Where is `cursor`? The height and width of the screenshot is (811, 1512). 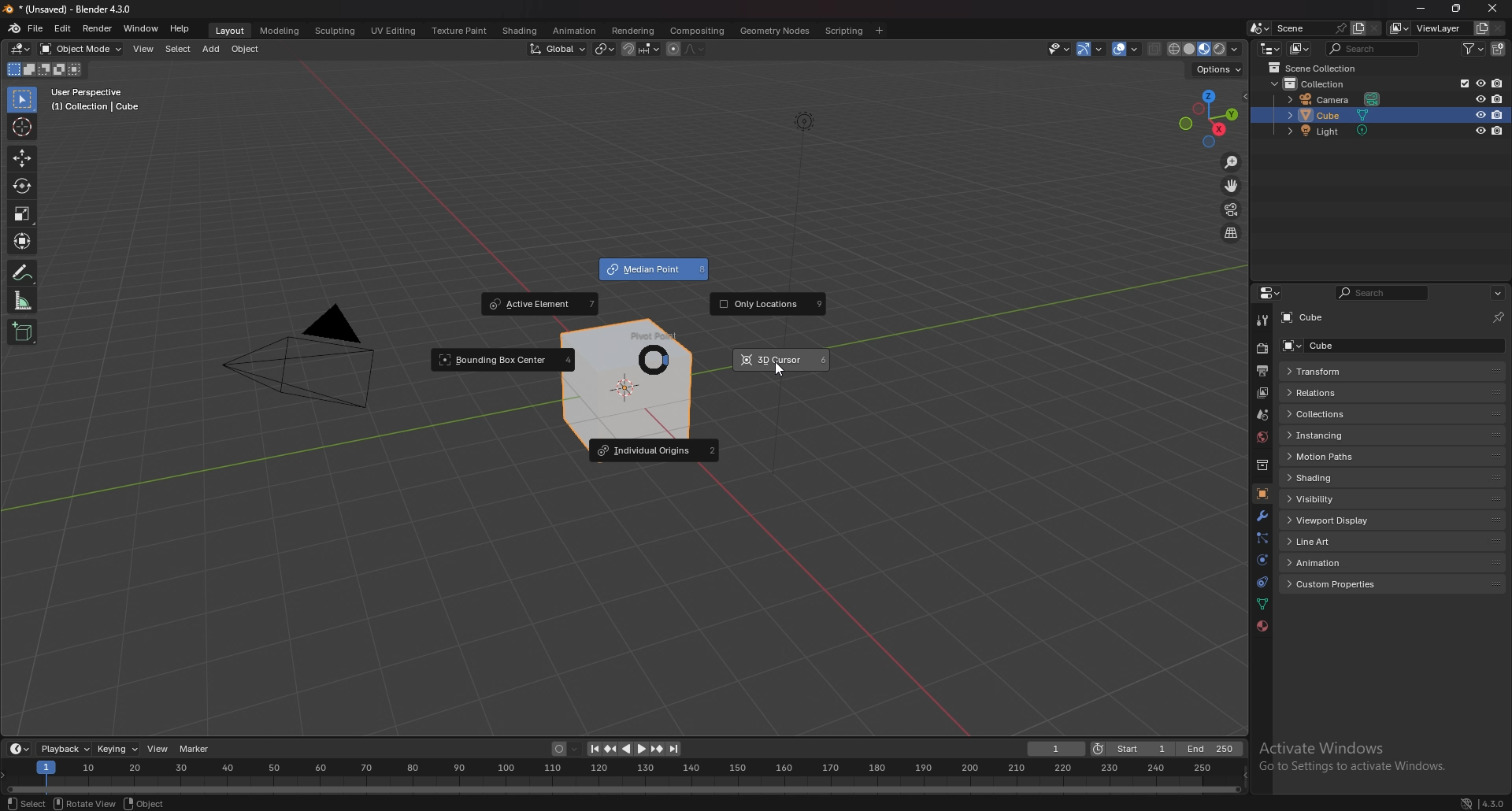 cursor is located at coordinates (776, 371).